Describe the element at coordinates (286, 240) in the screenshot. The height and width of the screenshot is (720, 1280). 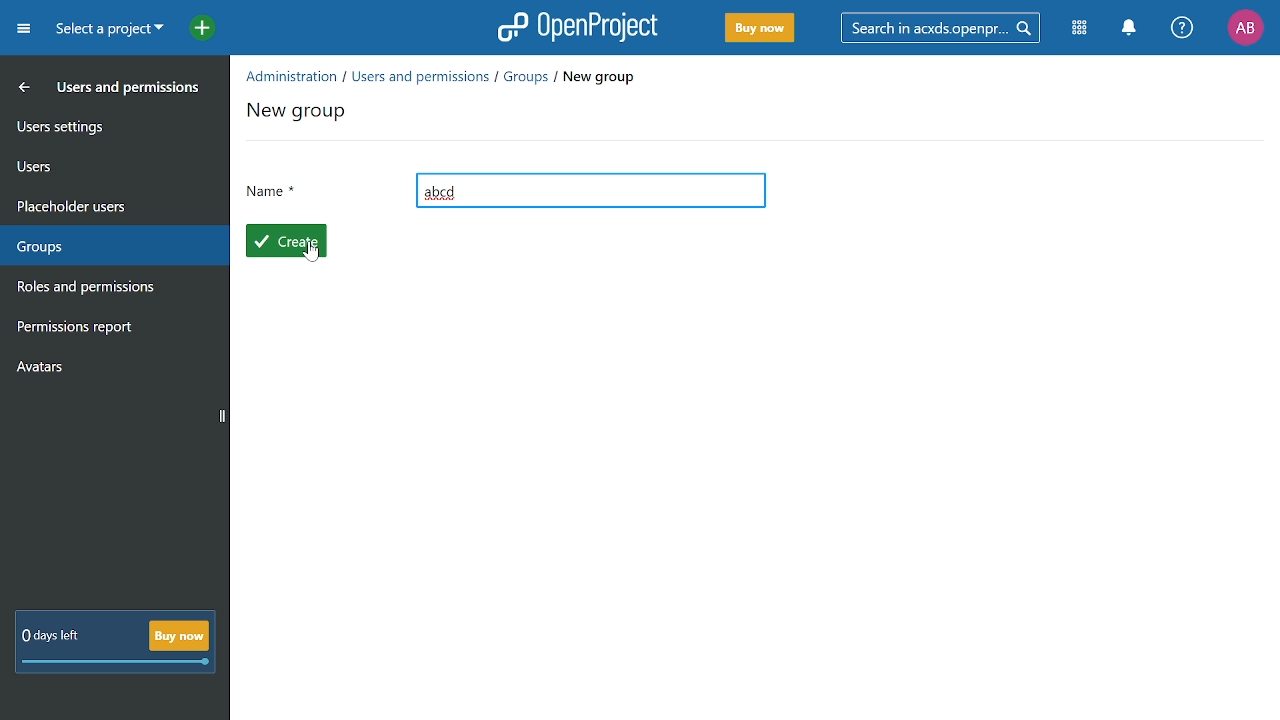
I see `Create` at that location.